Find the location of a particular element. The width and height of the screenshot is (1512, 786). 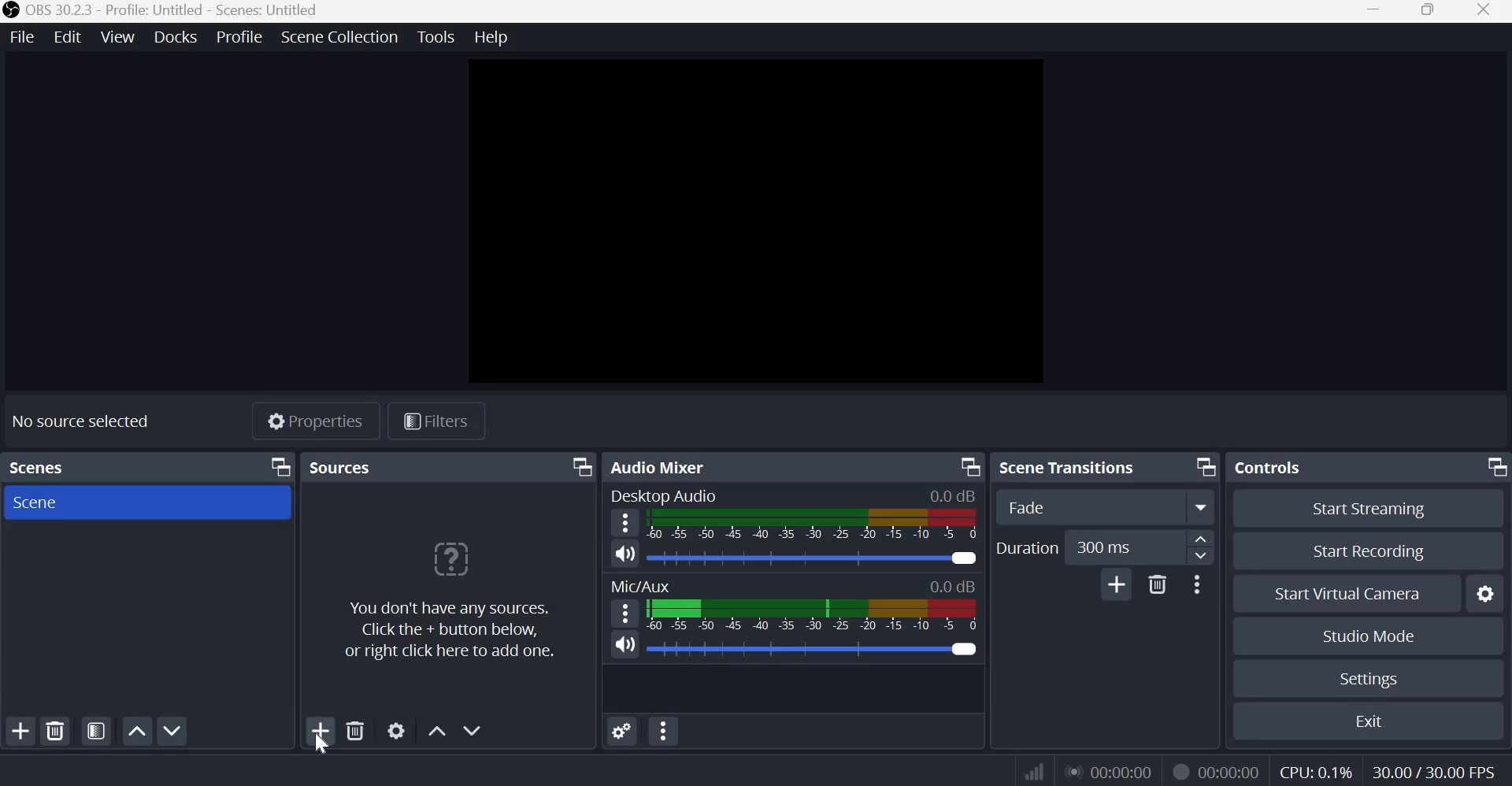

Audio Slider is located at coordinates (813, 558).